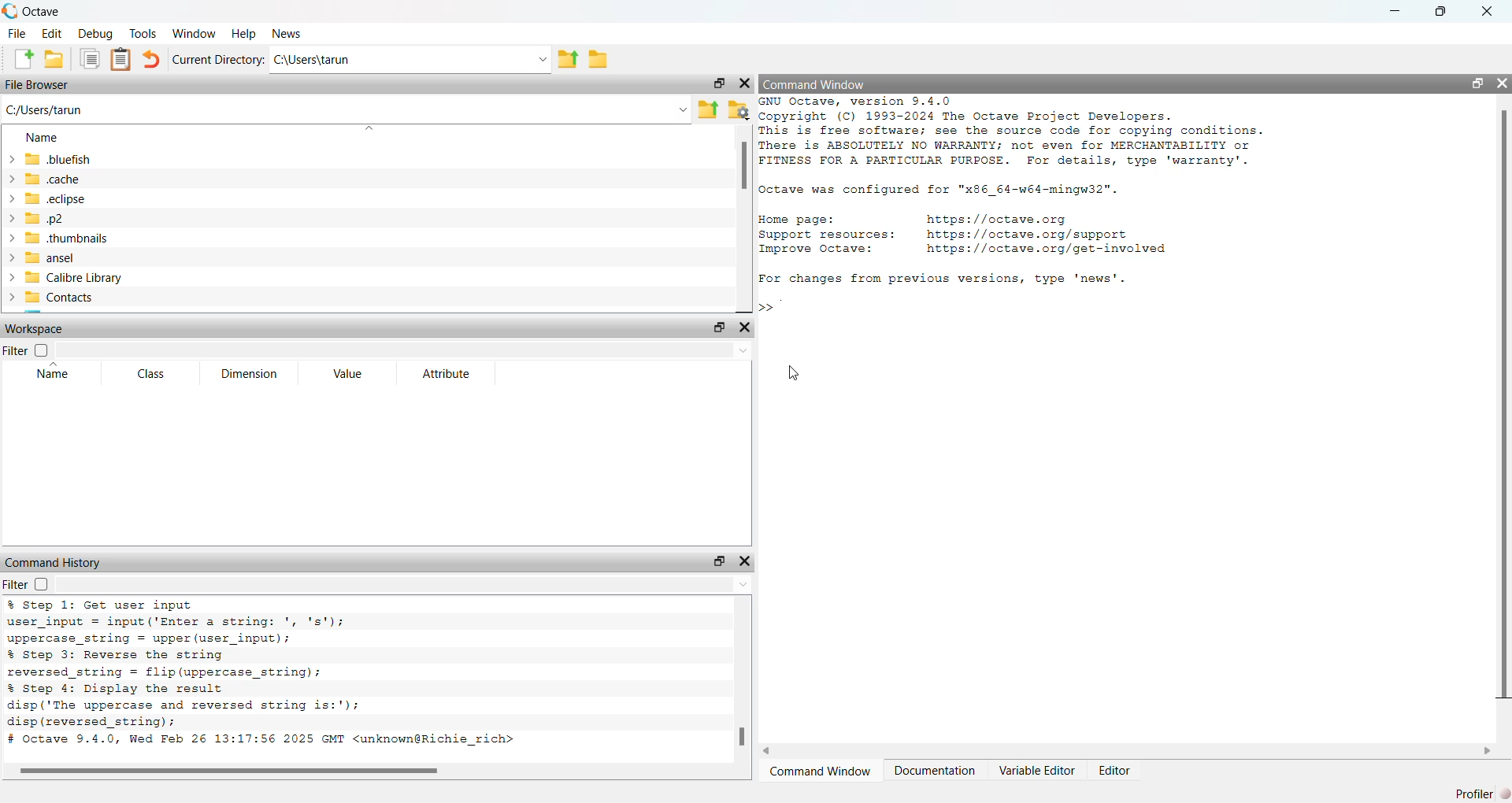  What do you see at coordinates (709, 110) in the screenshot?
I see `one directory up` at bounding box center [709, 110].